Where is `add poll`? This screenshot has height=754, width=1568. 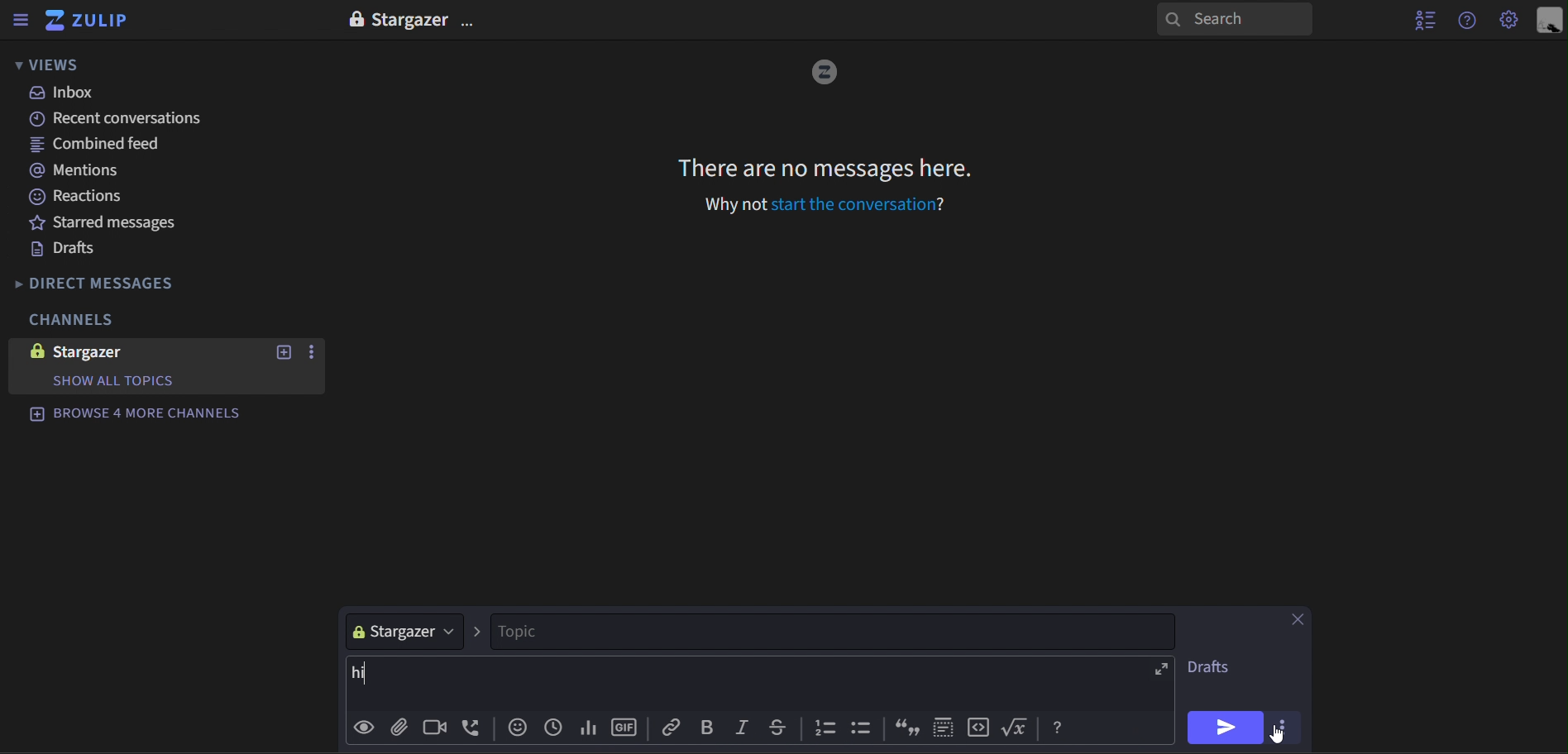 add poll is located at coordinates (589, 730).